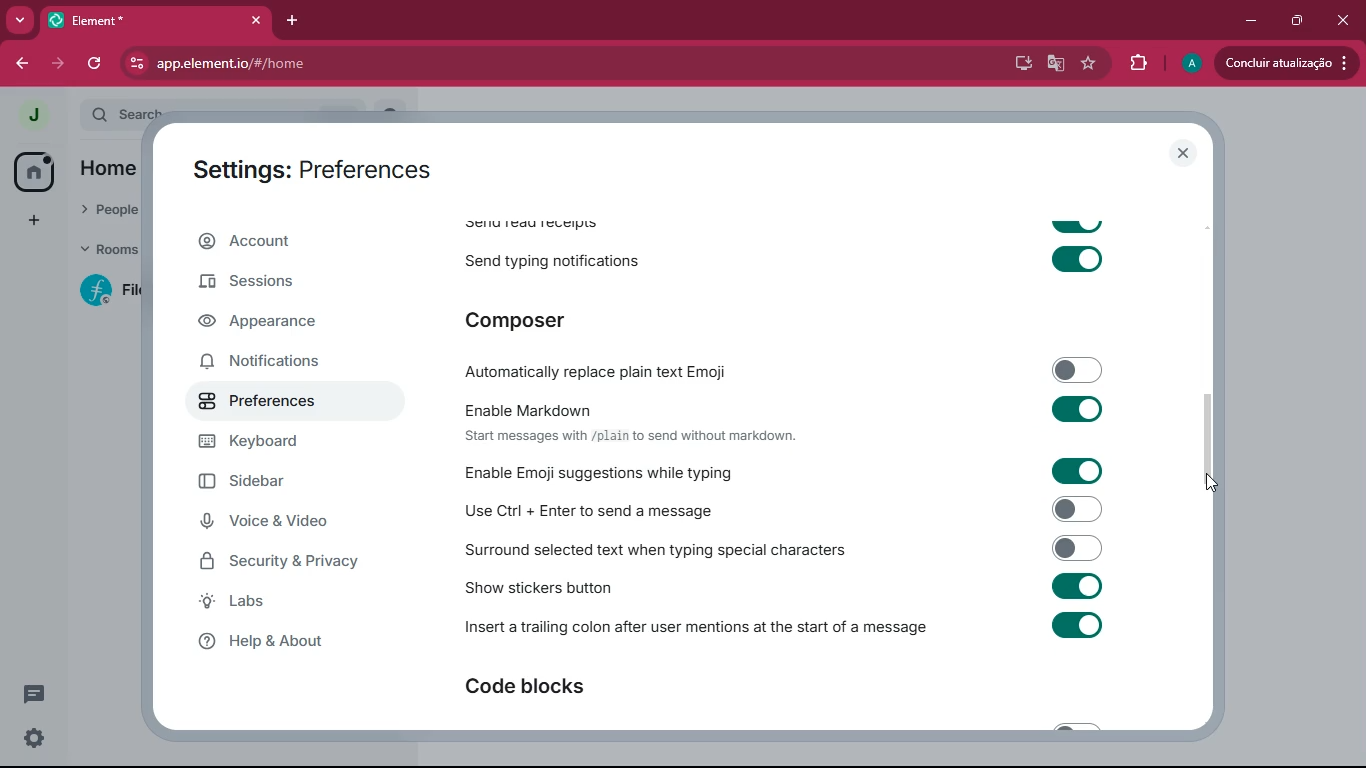 Image resolution: width=1366 pixels, height=768 pixels. Describe the element at coordinates (266, 602) in the screenshot. I see `labs` at that location.